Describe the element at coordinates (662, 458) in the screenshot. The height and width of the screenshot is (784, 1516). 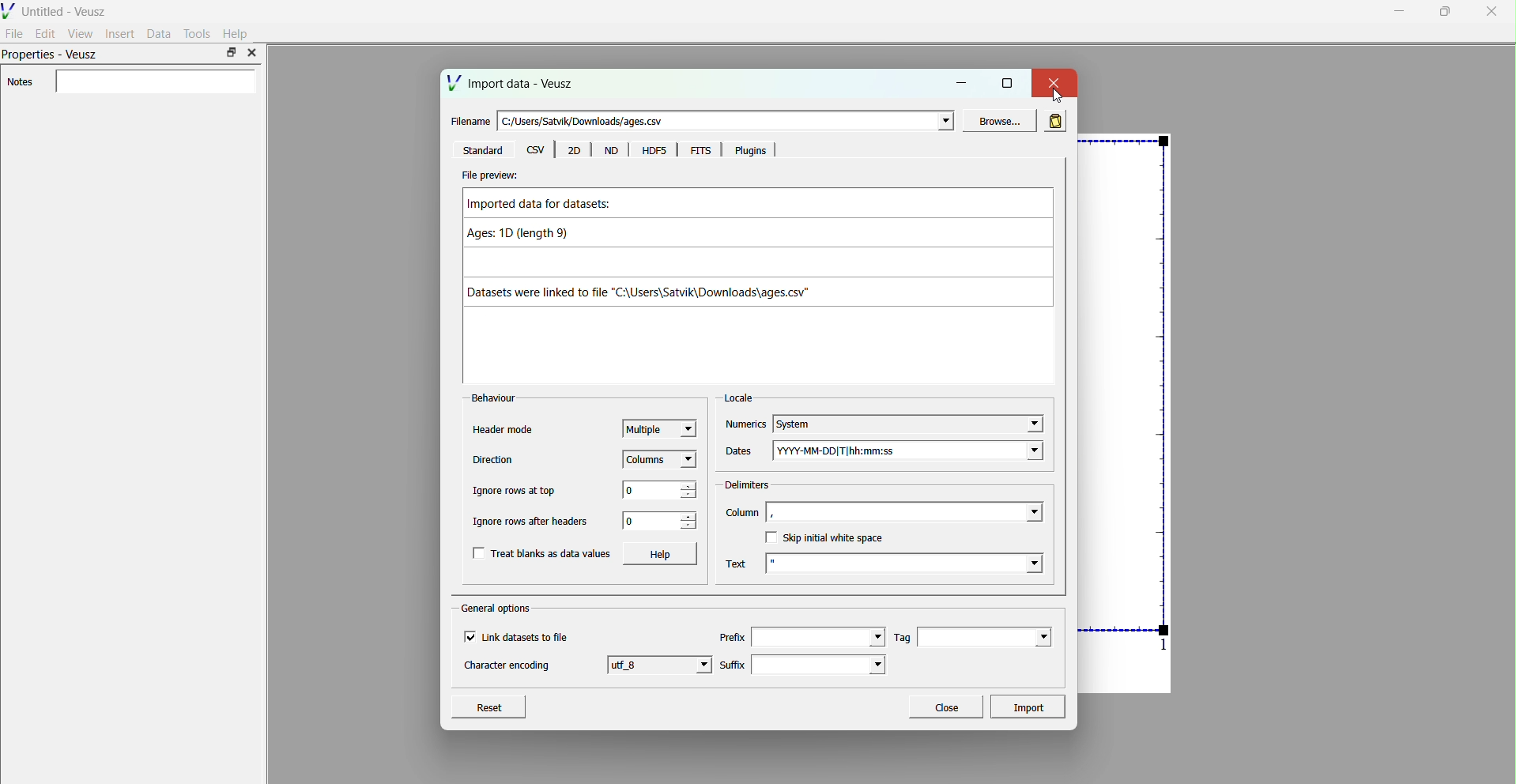
I see `Columns` at that location.